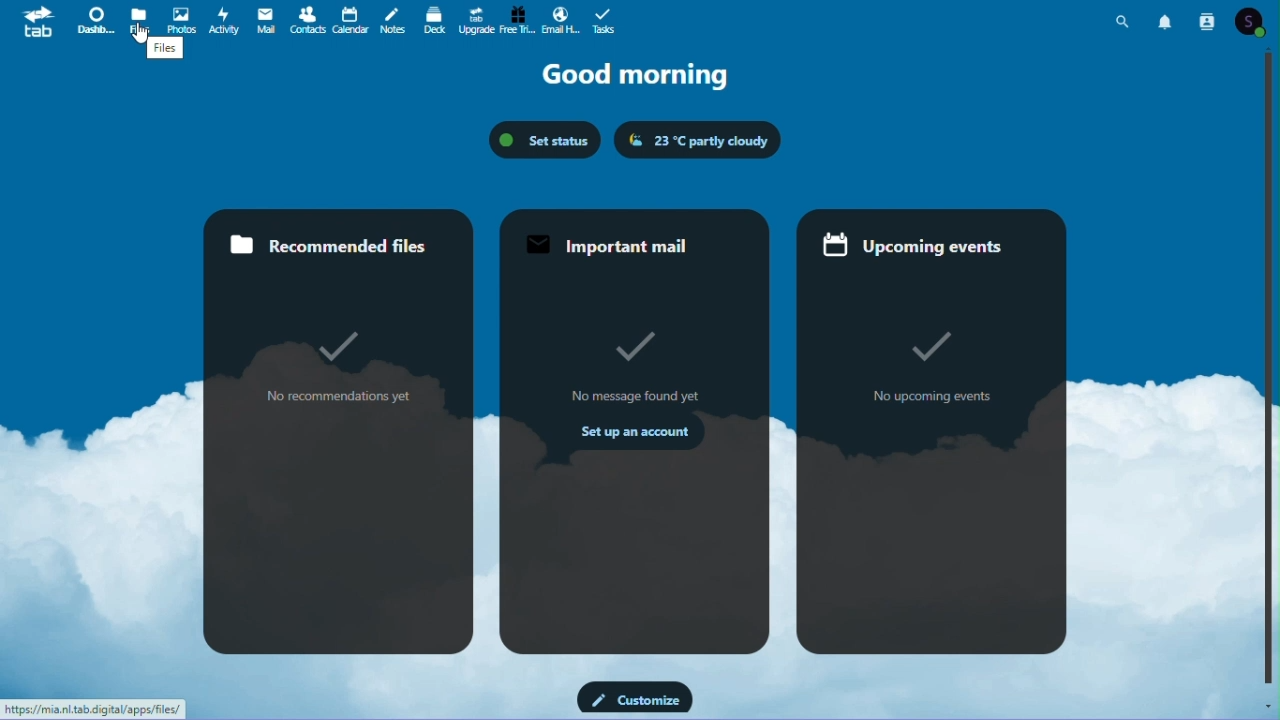 The image size is (1280, 720). What do you see at coordinates (602, 21) in the screenshot?
I see `Tasks` at bounding box center [602, 21].